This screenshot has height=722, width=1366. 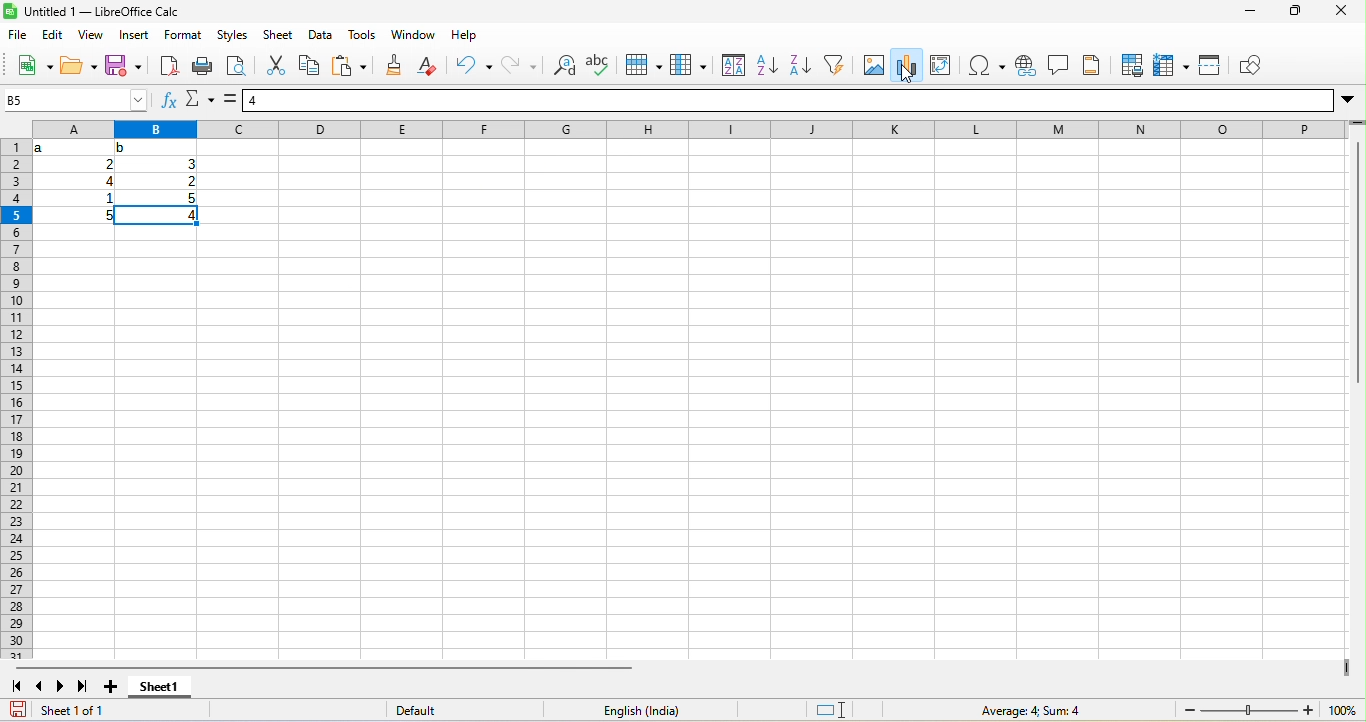 What do you see at coordinates (170, 99) in the screenshot?
I see `function wizard` at bounding box center [170, 99].